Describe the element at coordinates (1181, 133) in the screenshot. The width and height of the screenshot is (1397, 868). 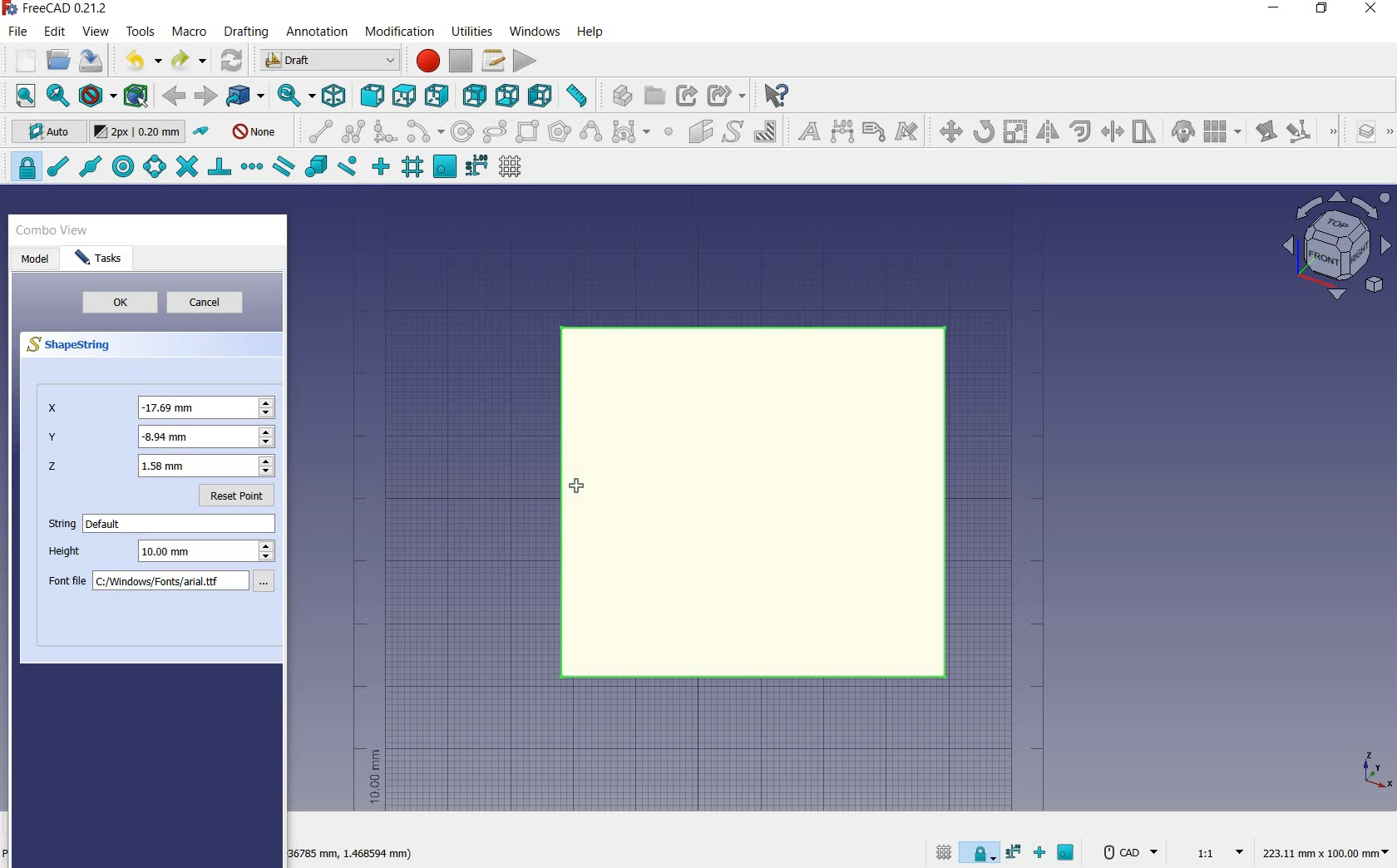
I see `create a clone` at that location.